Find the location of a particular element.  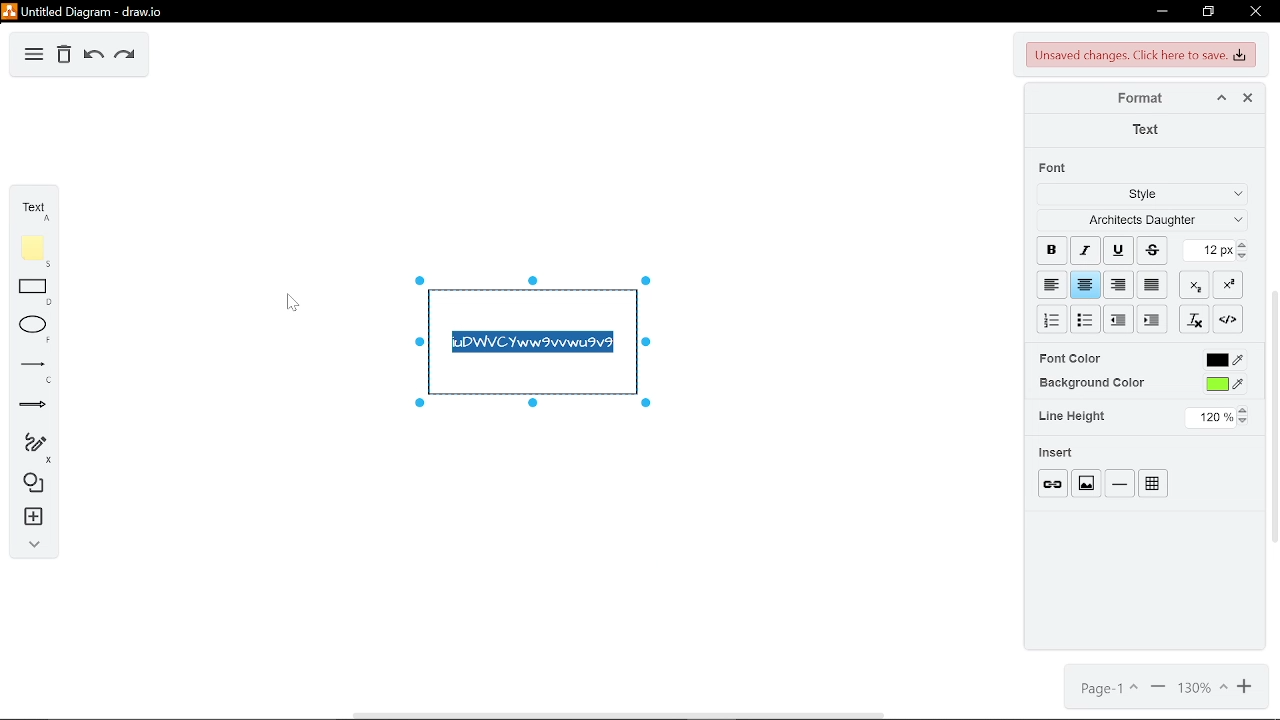

underline is located at coordinates (1118, 251).